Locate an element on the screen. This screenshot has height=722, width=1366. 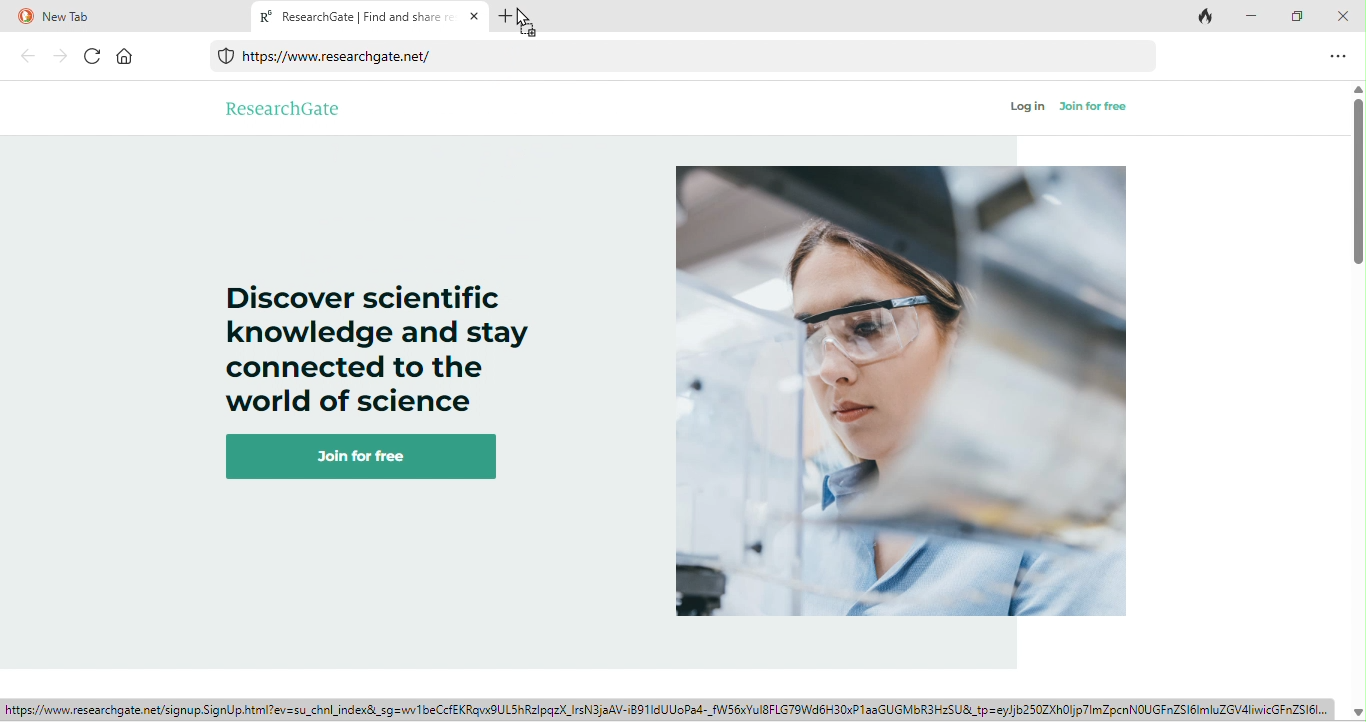
Scroll up is located at coordinates (1355, 710).